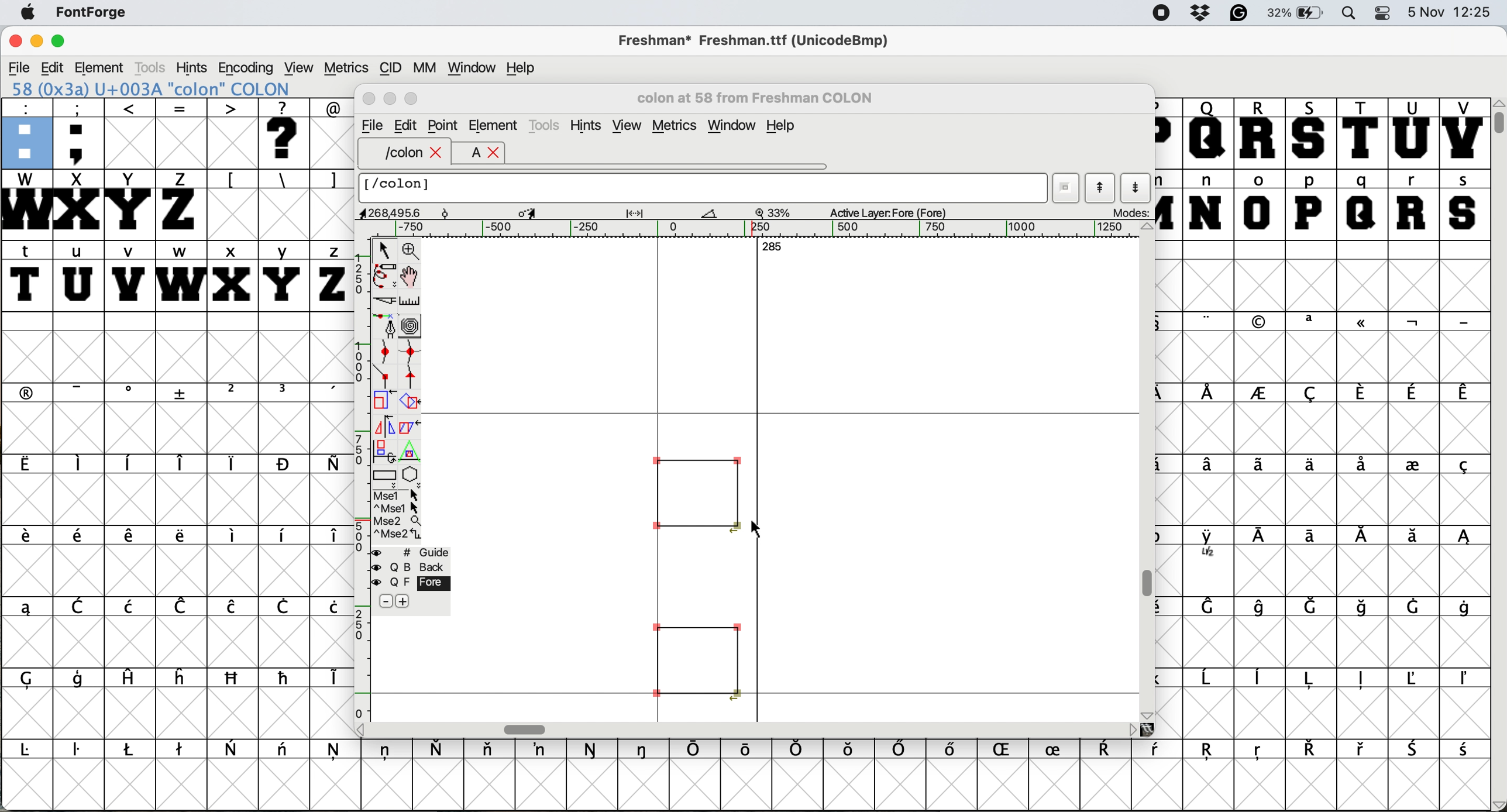 This screenshot has width=1507, height=812. I want to click on symbol, so click(543, 749).